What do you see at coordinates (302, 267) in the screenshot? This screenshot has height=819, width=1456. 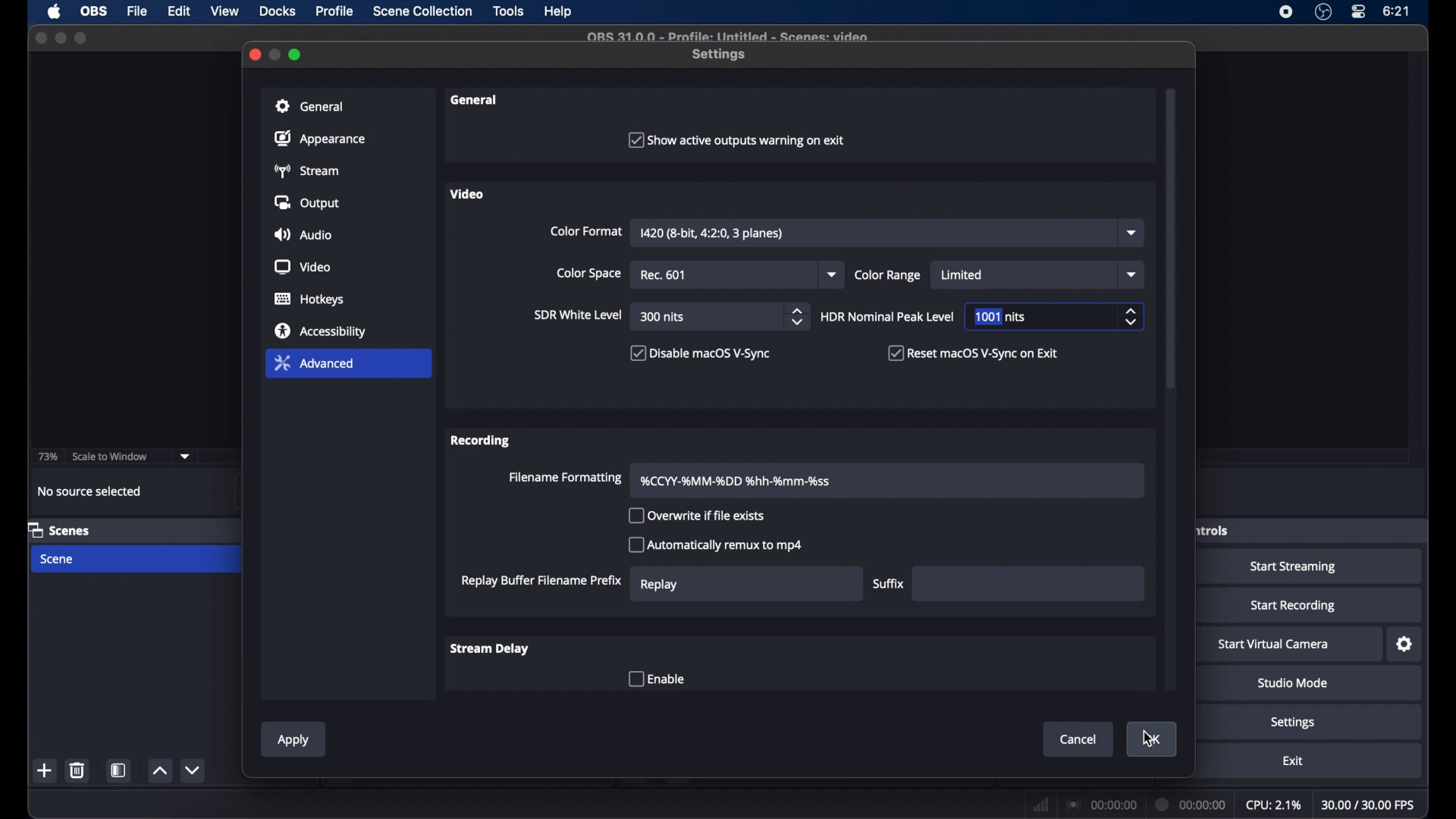 I see `video` at bounding box center [302, 267].